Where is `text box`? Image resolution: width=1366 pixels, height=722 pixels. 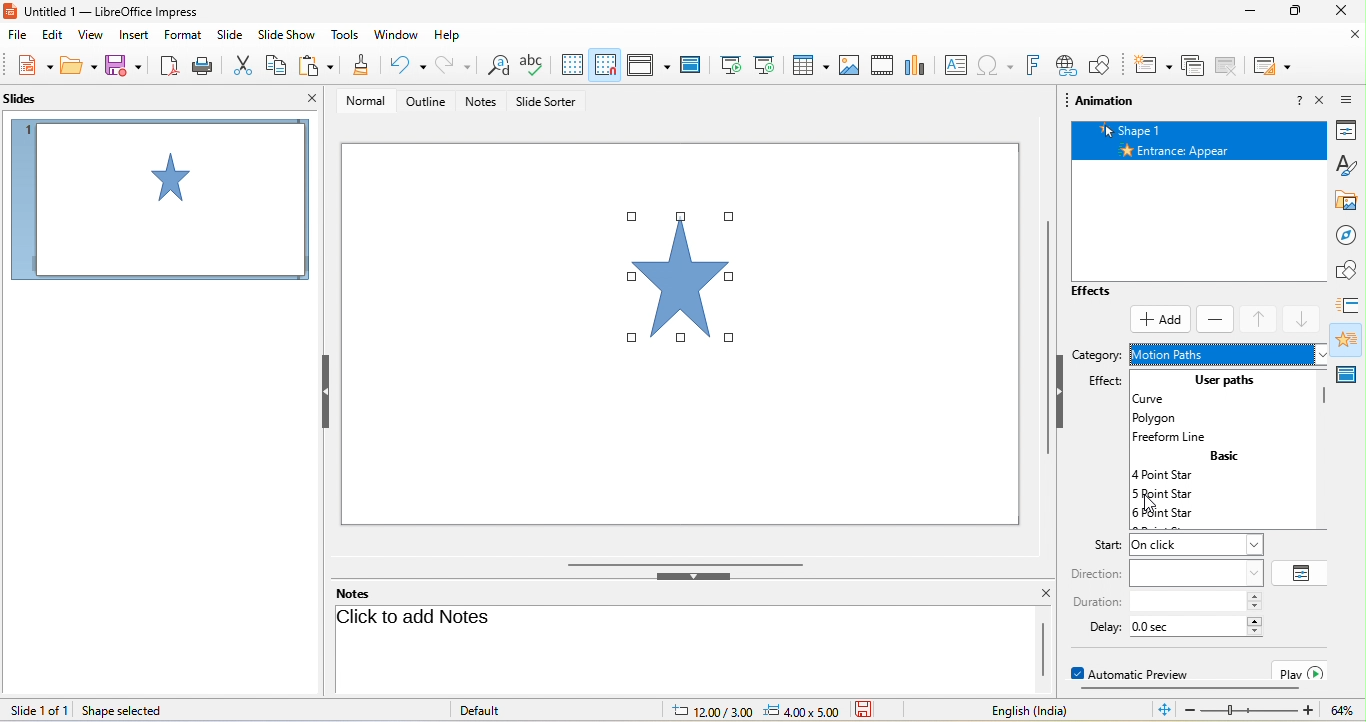 text box is located at coordinates (957, 64).